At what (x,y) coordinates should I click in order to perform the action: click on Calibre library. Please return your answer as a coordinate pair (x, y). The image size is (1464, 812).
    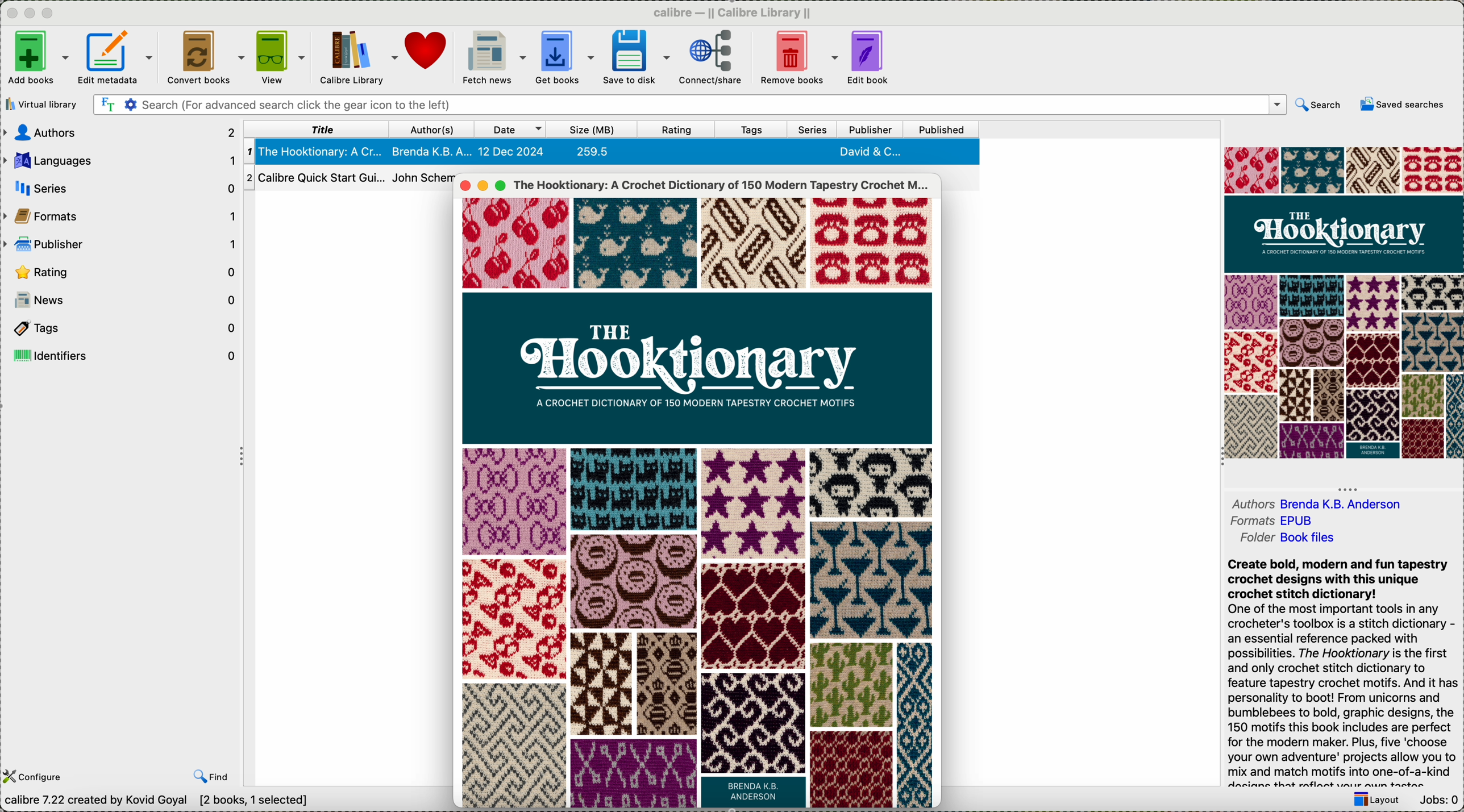
    Looking at the image, I should click on (357, 56).